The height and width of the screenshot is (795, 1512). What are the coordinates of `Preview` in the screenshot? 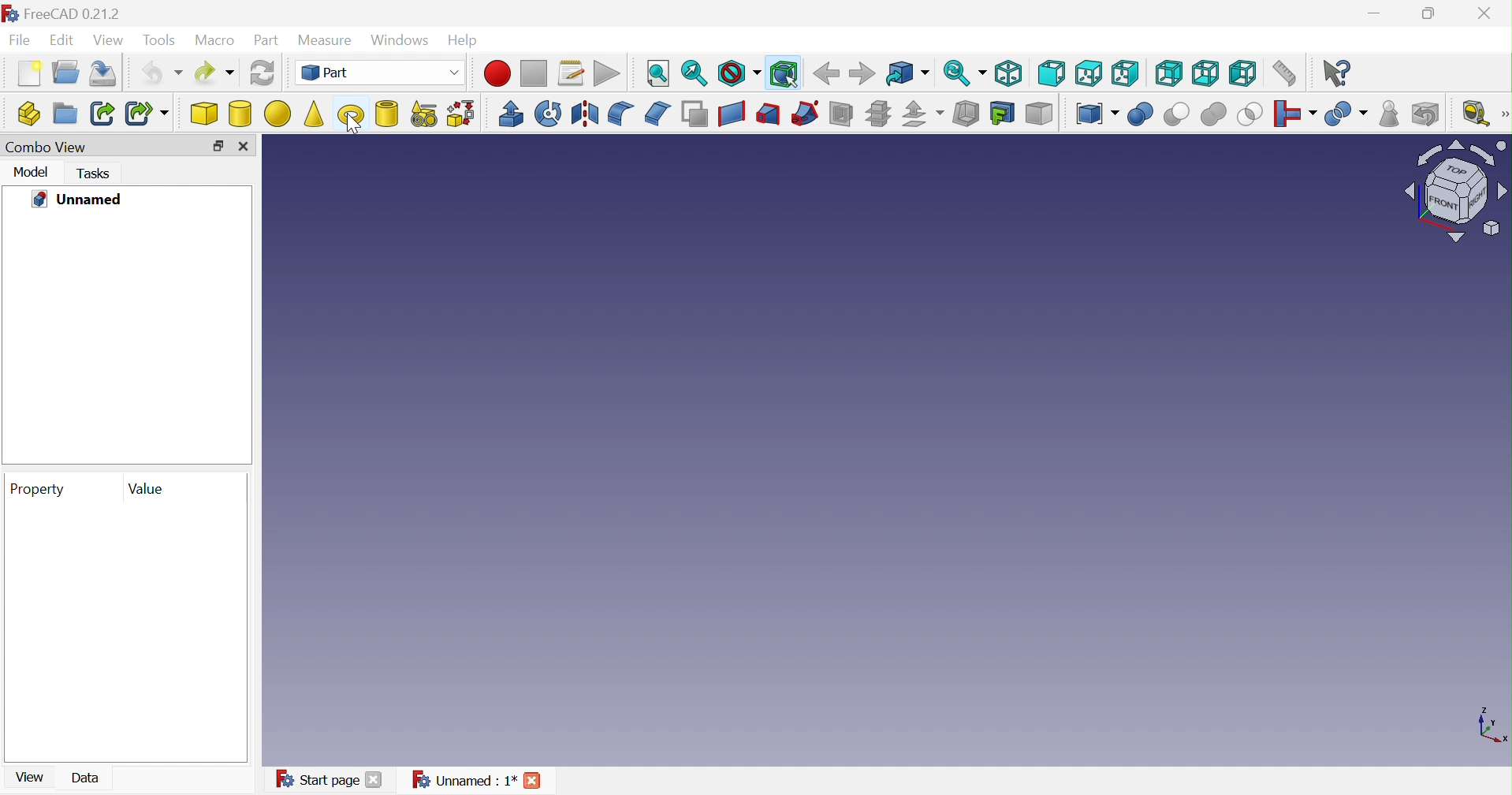 It's located at (125, 632).